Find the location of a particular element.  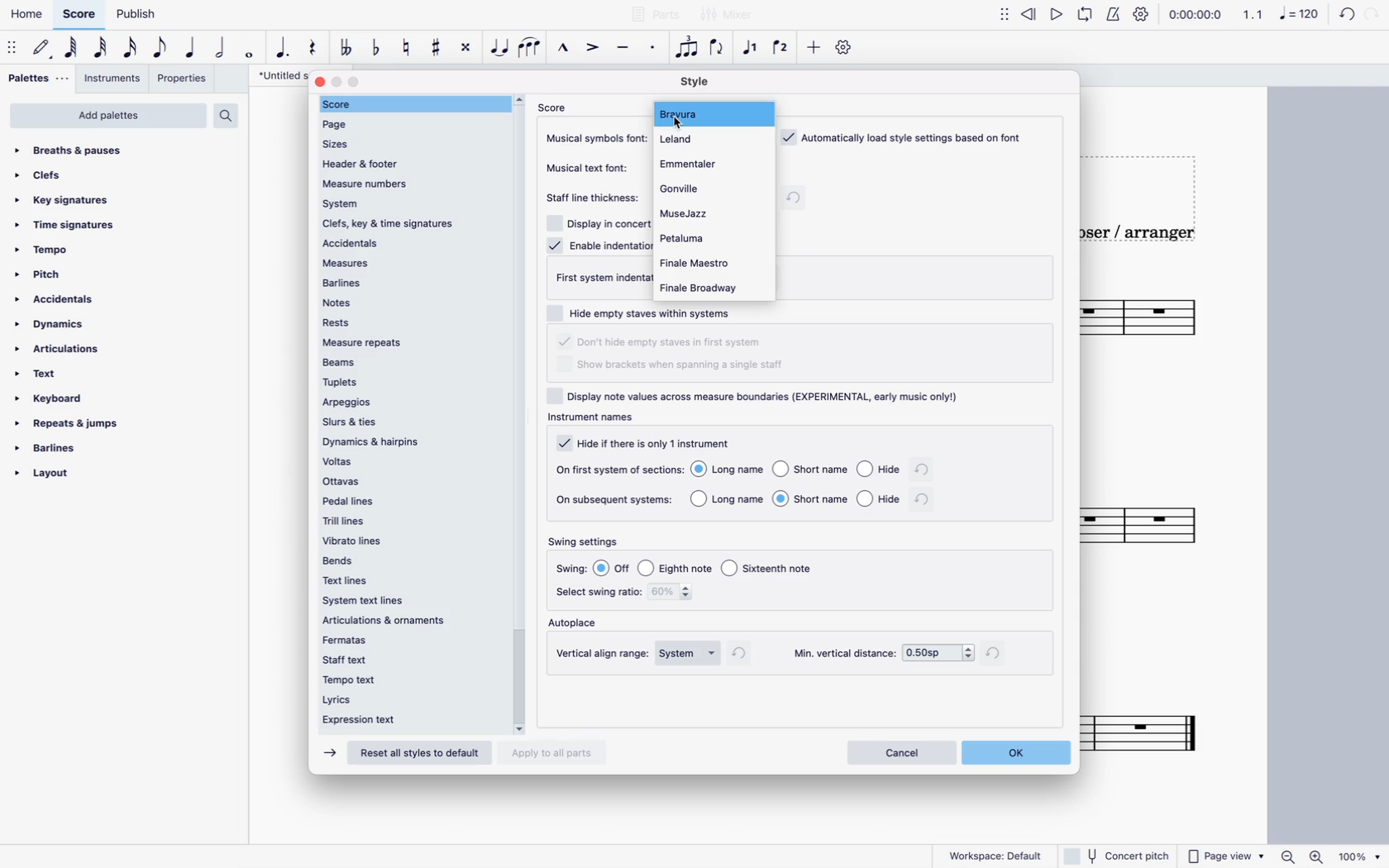

palettes is located at coordinates (39, 78).